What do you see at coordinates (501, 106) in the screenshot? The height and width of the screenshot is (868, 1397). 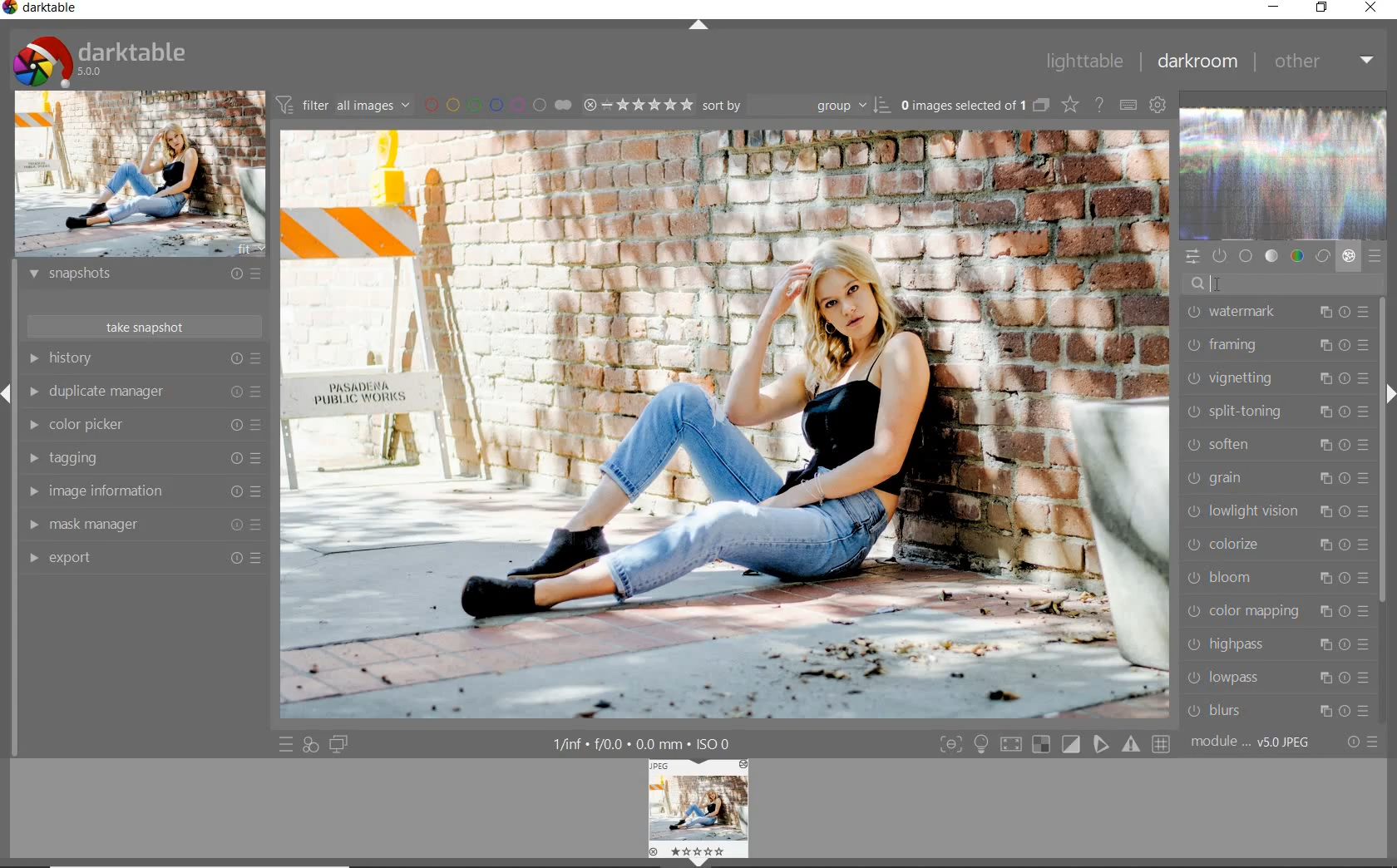 I see `filter by image color` at bounding box center [501, 106].